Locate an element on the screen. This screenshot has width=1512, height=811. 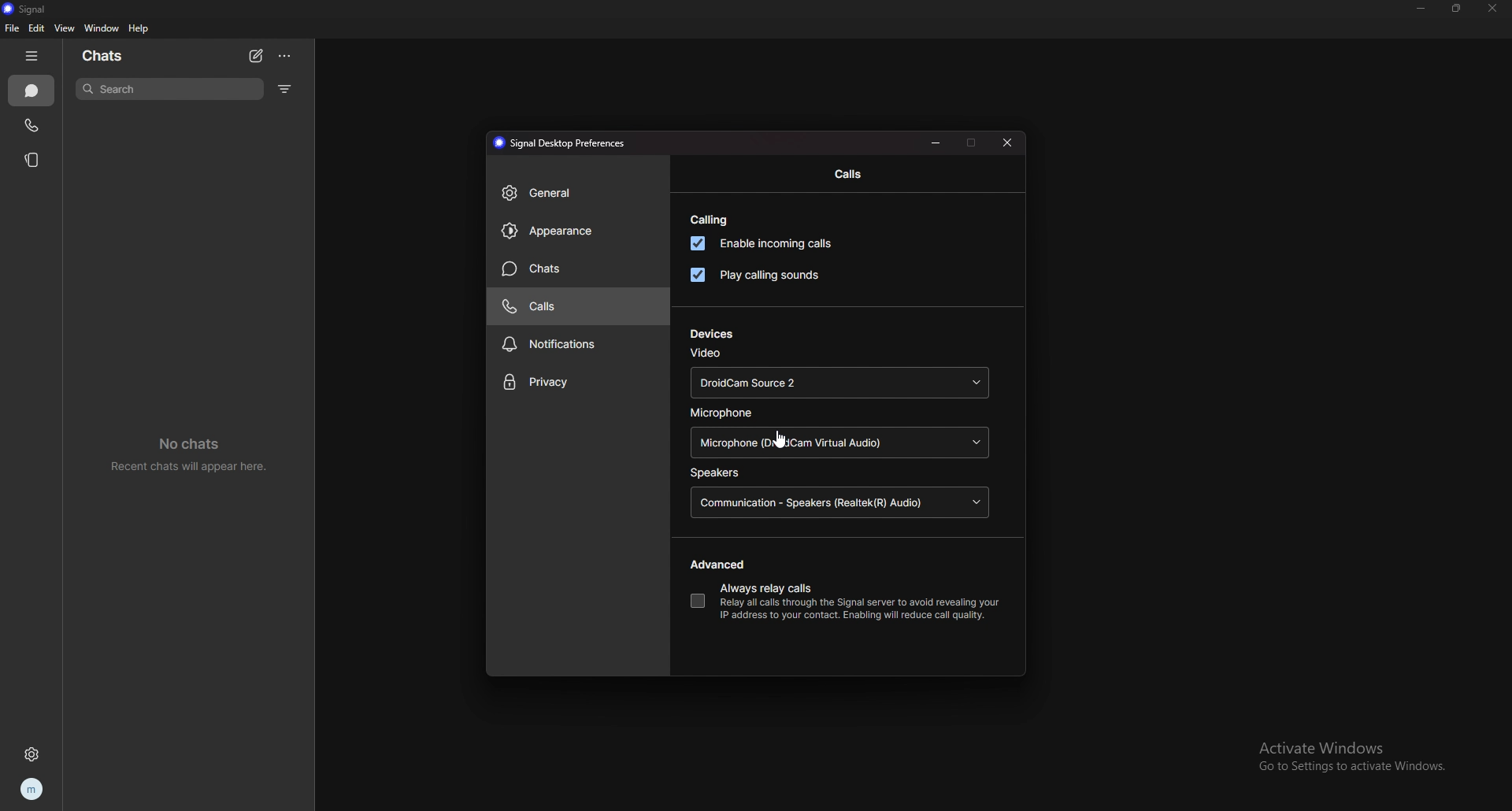
view is located at coordinates (64, 28).